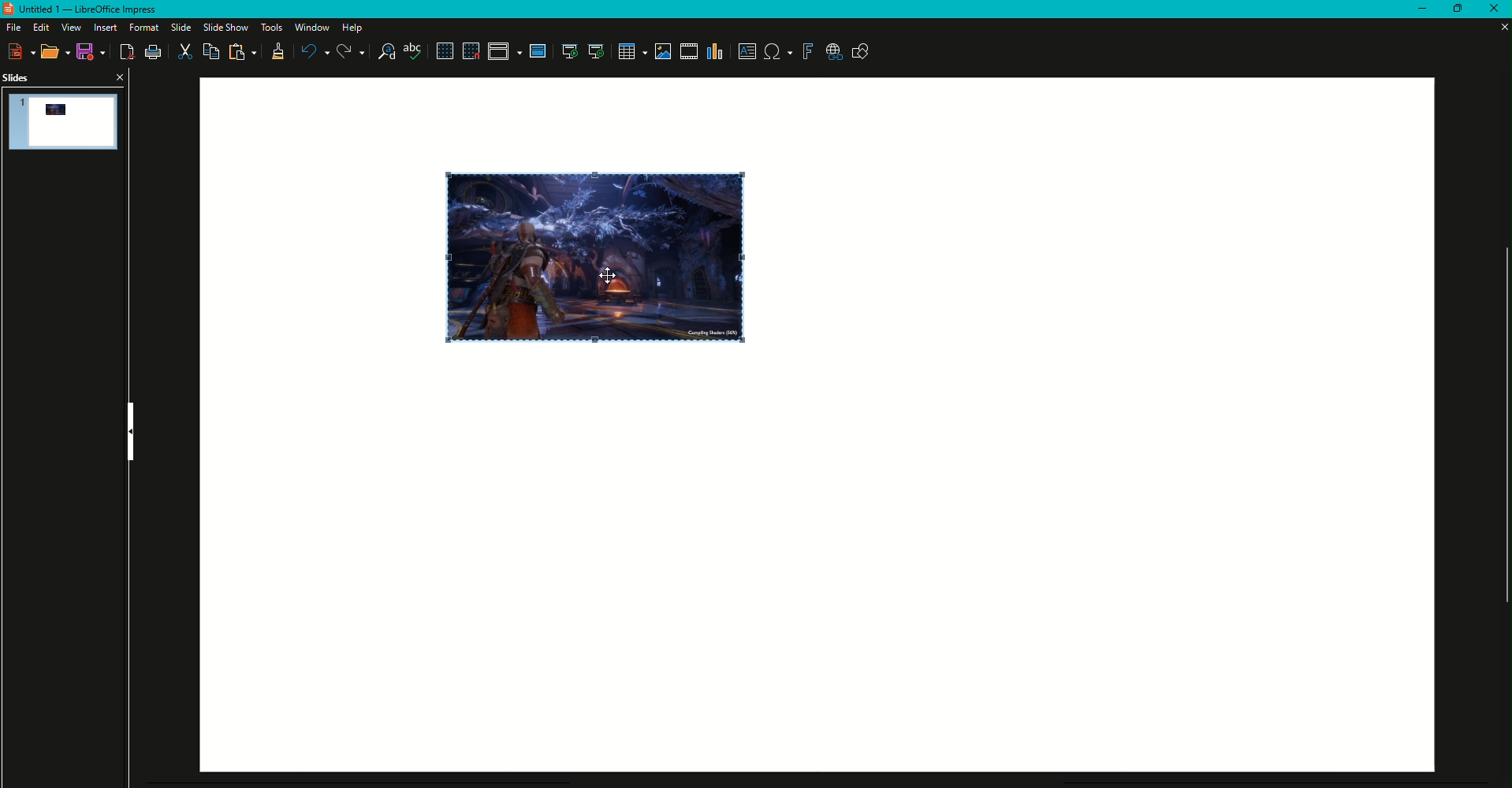 The height and width of the screenshot is (788, 1512). What do you see at coordinates (351, 52) in the screenshot?
I see `Redo` at bounding box center [351, 52].